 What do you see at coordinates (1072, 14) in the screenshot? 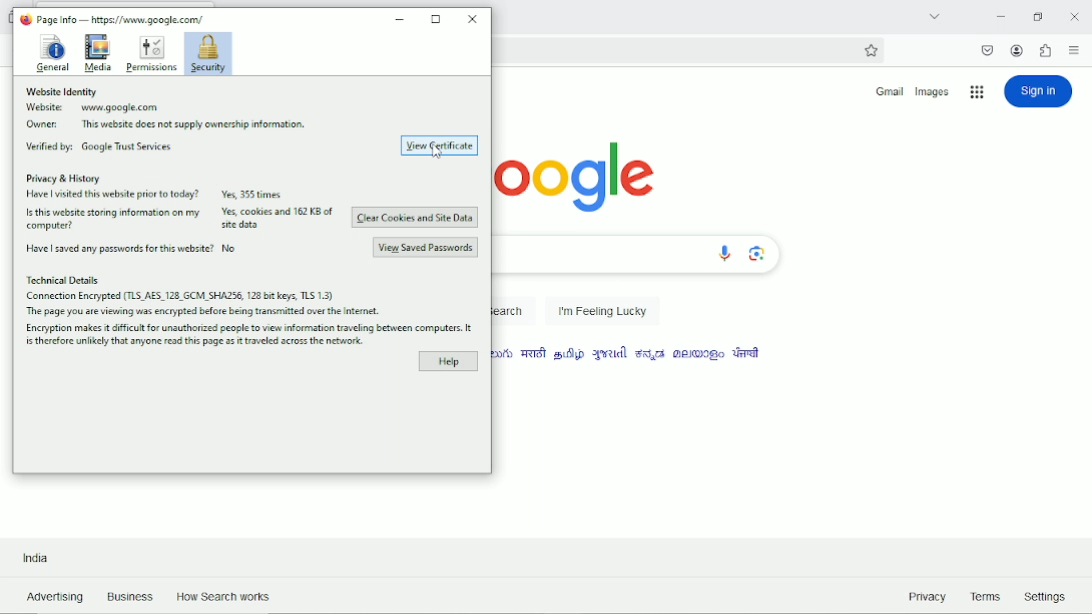
I see `Close` at bounding box center [1072, 14].